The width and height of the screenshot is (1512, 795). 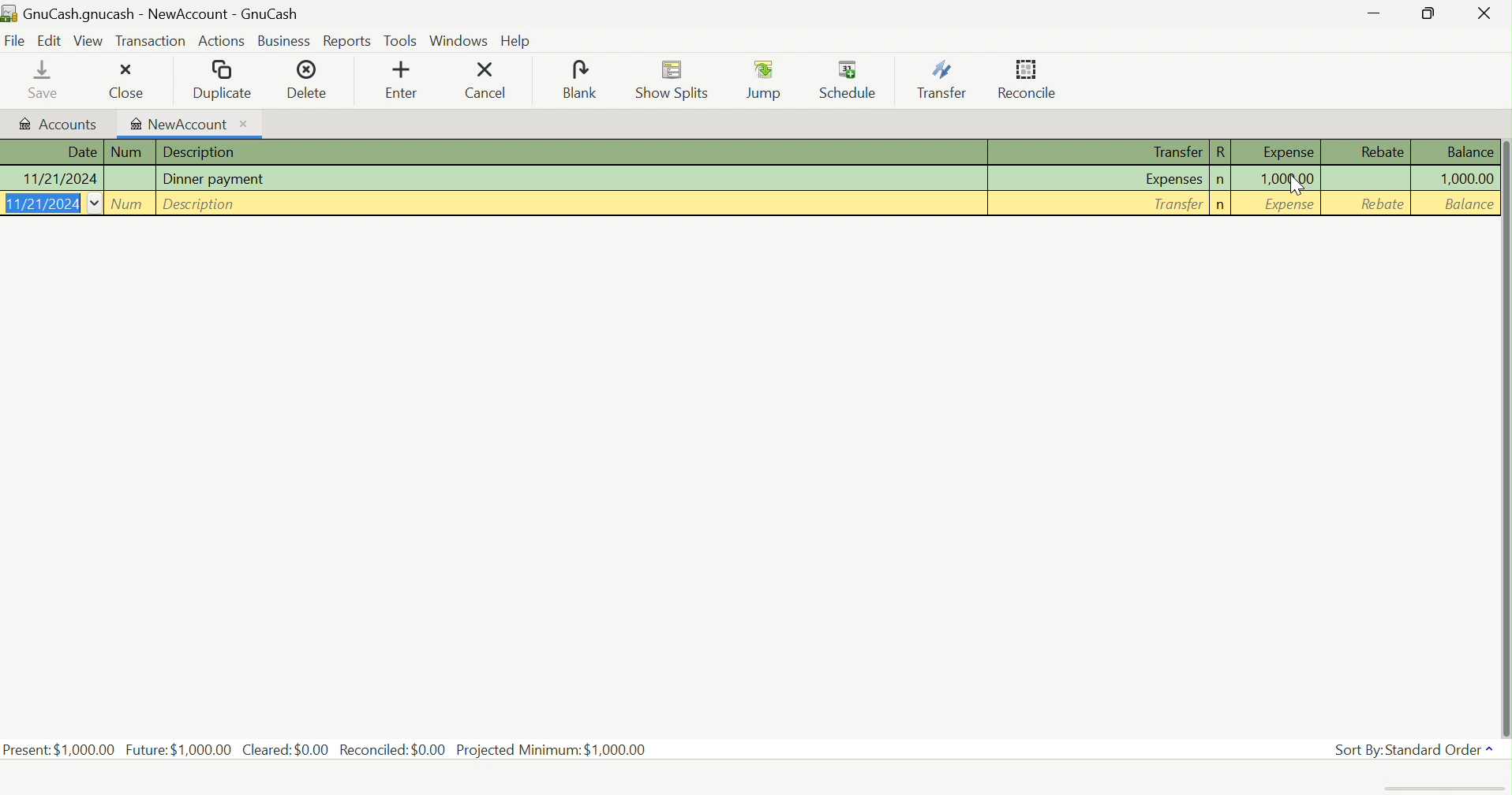 What do you see at coordinates (88, 40) in the screenshot?
I see `View` at bounding box center [88, 40].